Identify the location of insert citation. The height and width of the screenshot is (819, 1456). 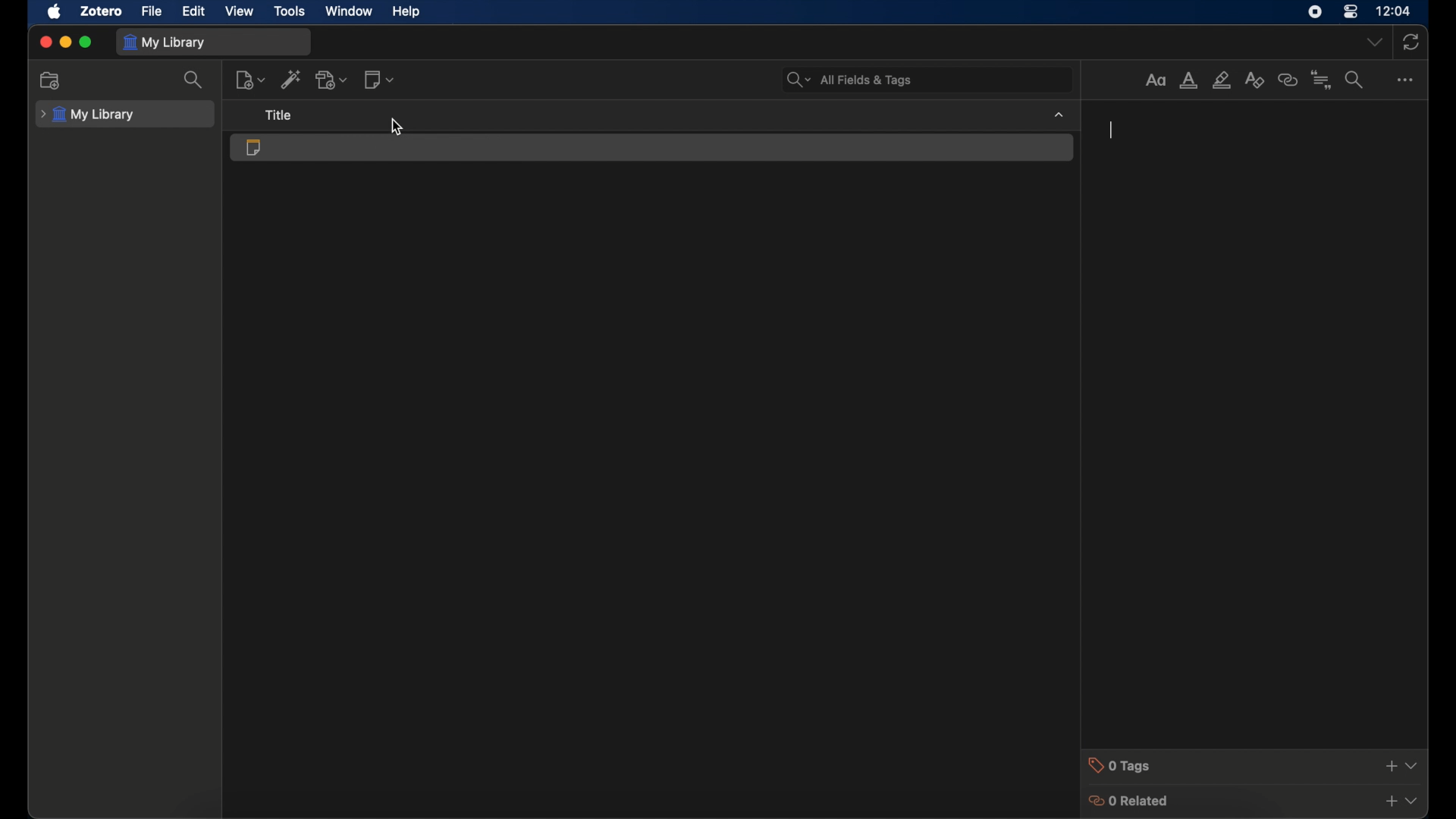
(1320, 79).